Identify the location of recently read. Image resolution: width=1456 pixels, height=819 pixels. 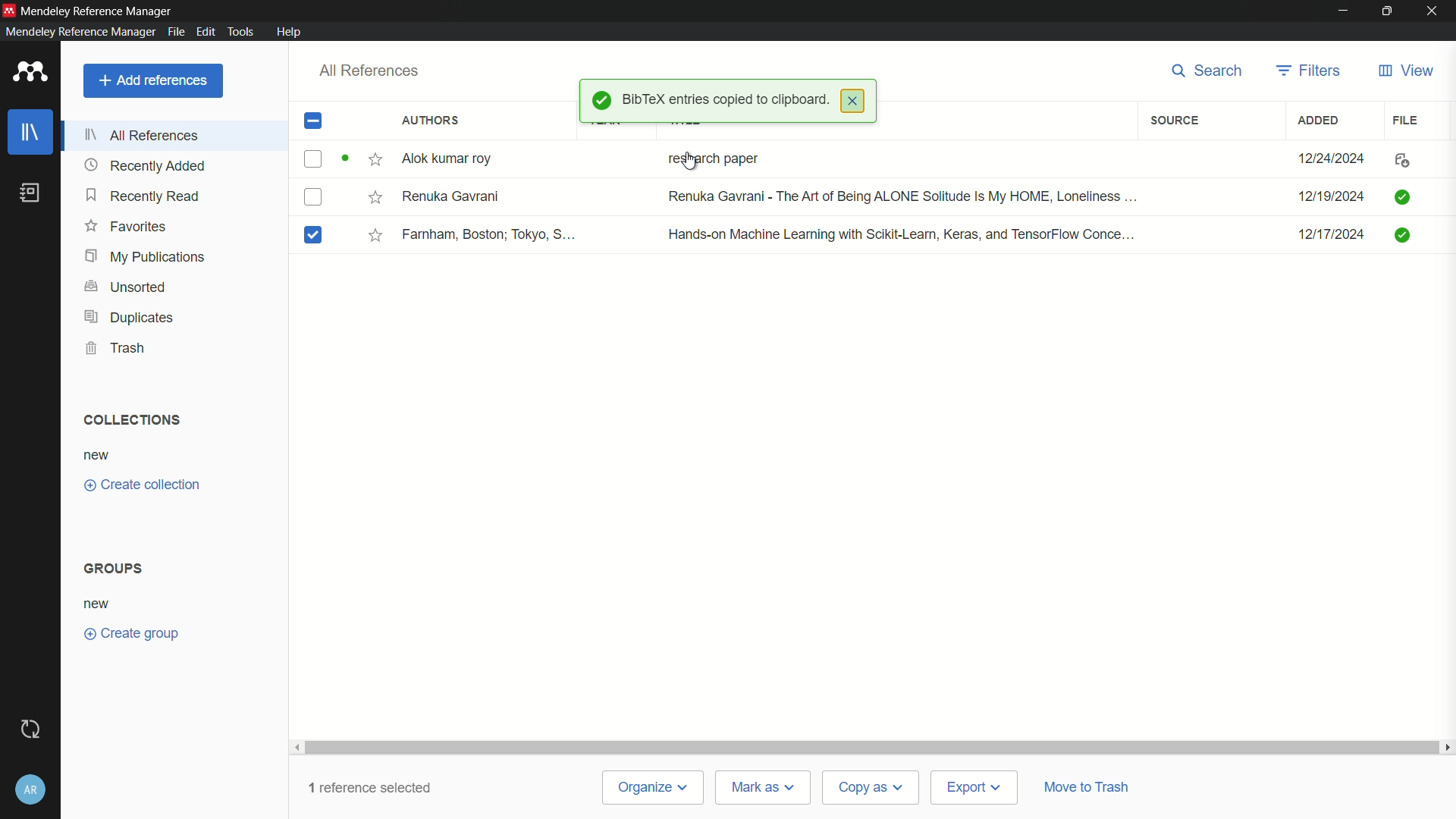
(143, 196).